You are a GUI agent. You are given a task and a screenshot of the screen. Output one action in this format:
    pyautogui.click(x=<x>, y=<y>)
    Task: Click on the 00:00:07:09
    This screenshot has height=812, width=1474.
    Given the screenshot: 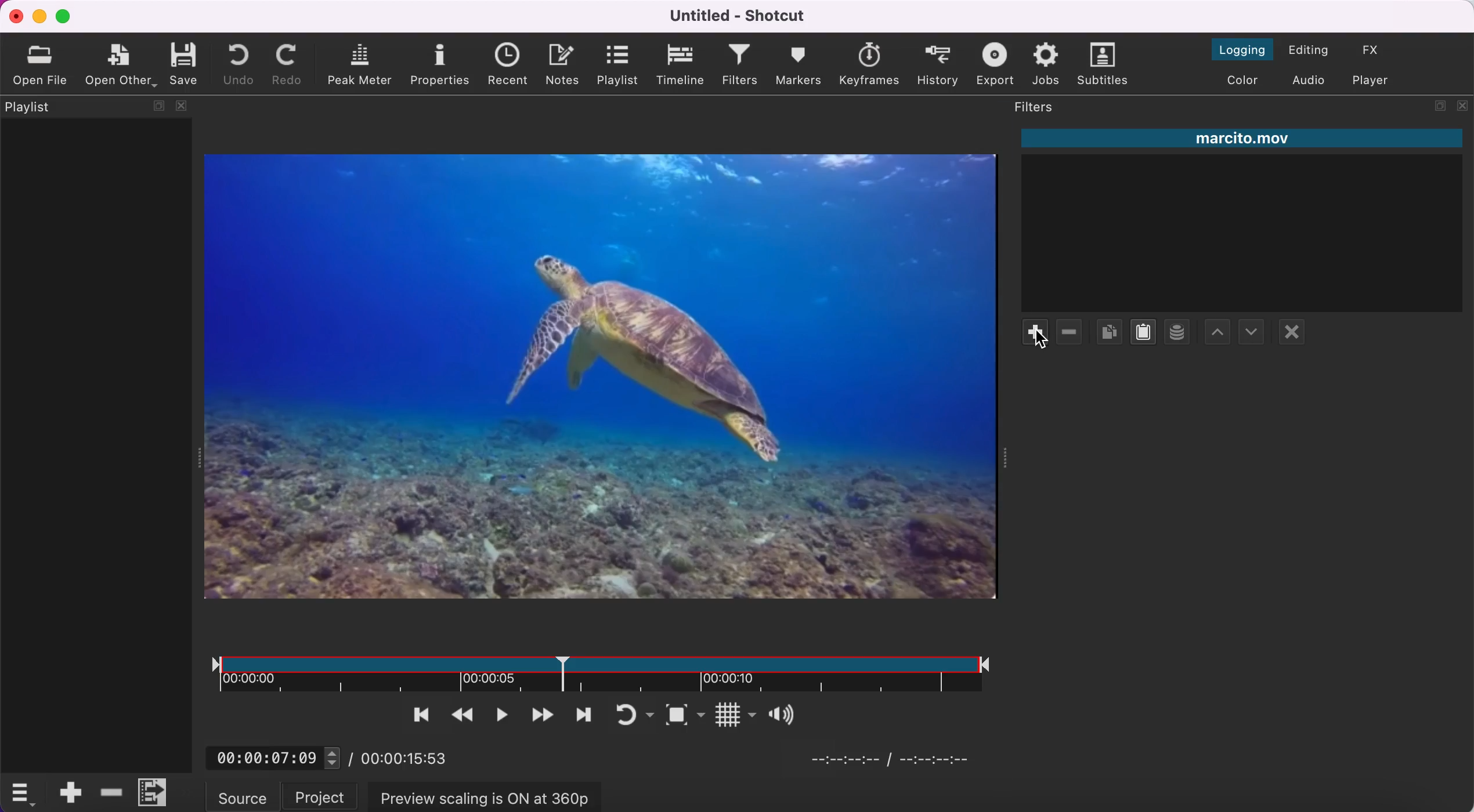 What is the action you would take?
    pyautogui.click(x=273, y=754)
    